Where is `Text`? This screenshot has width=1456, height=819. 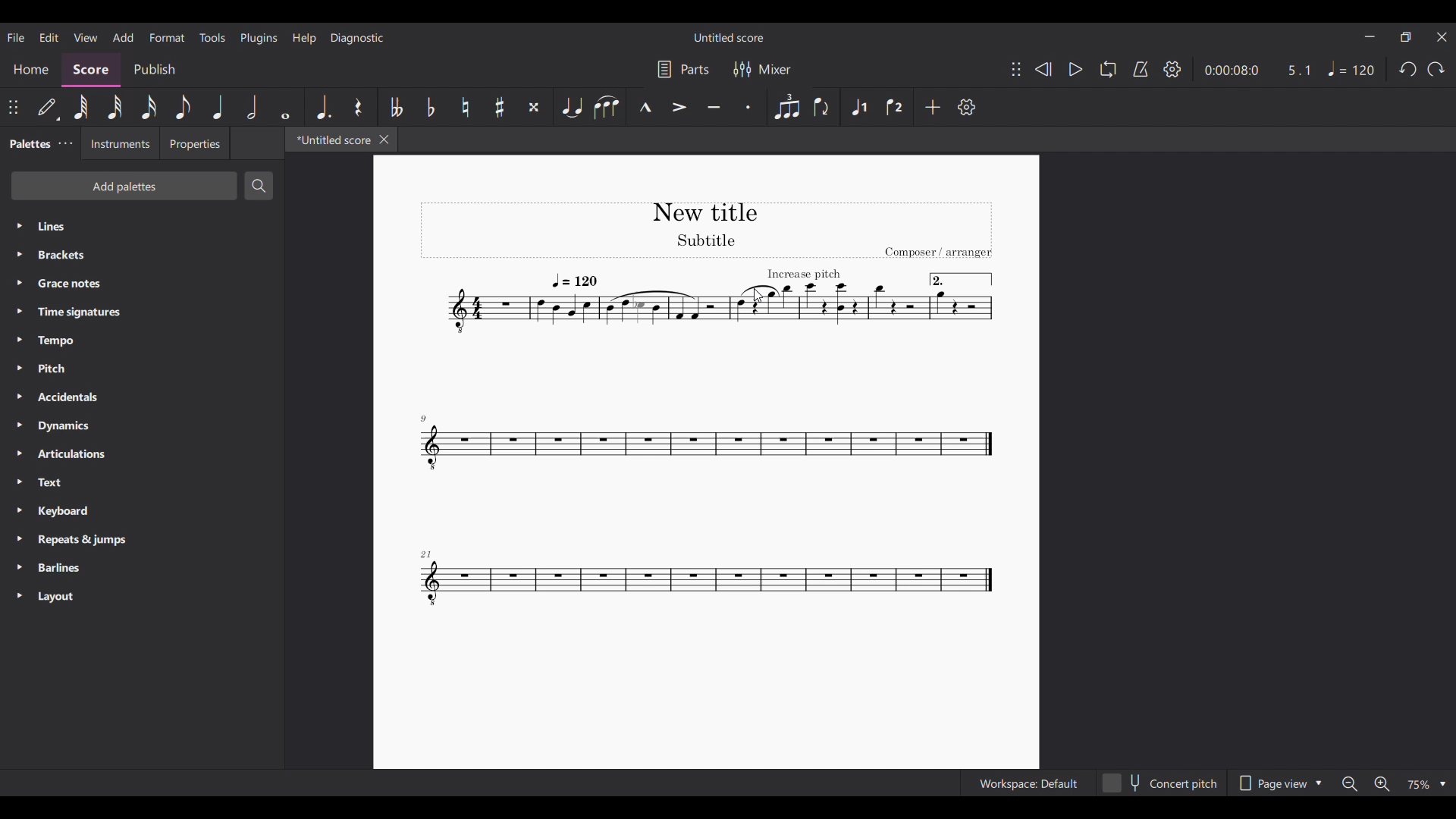 Text is located at coordinates (142, 482).